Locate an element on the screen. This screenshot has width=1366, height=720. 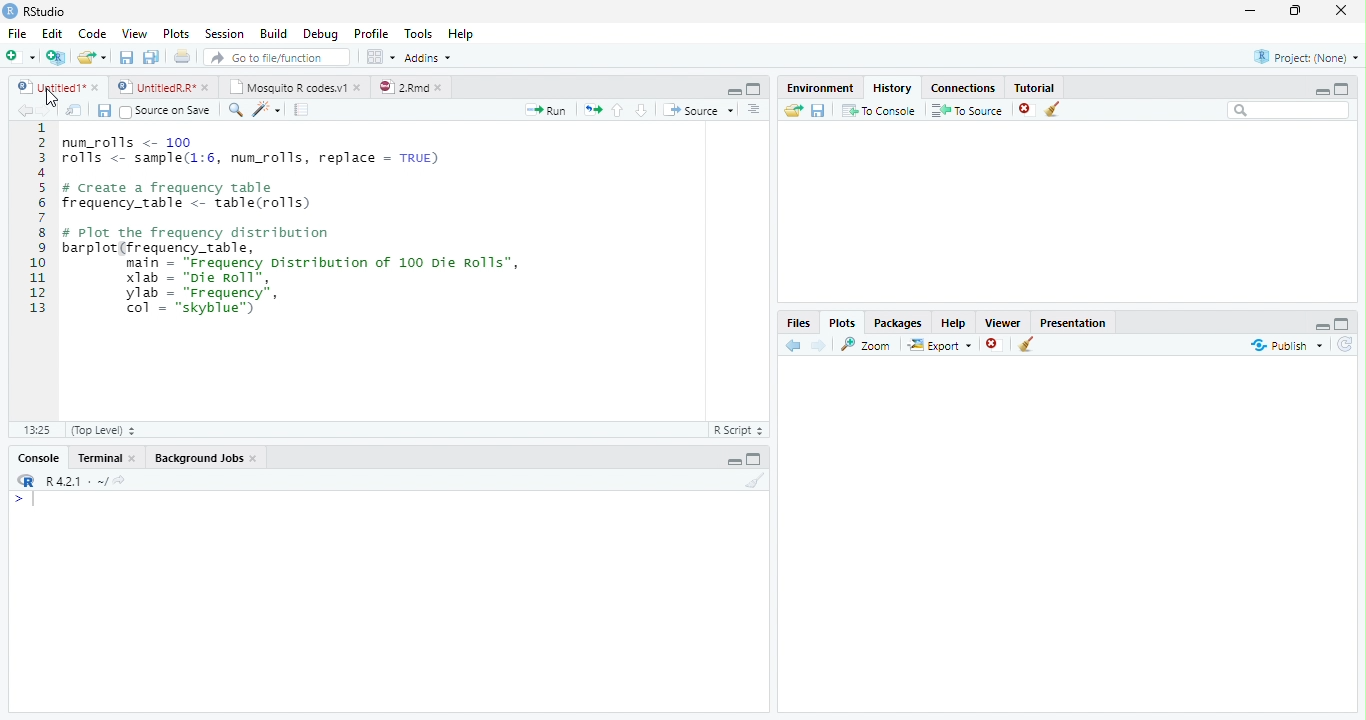
Show in new window is located at coordinates (76, 110).